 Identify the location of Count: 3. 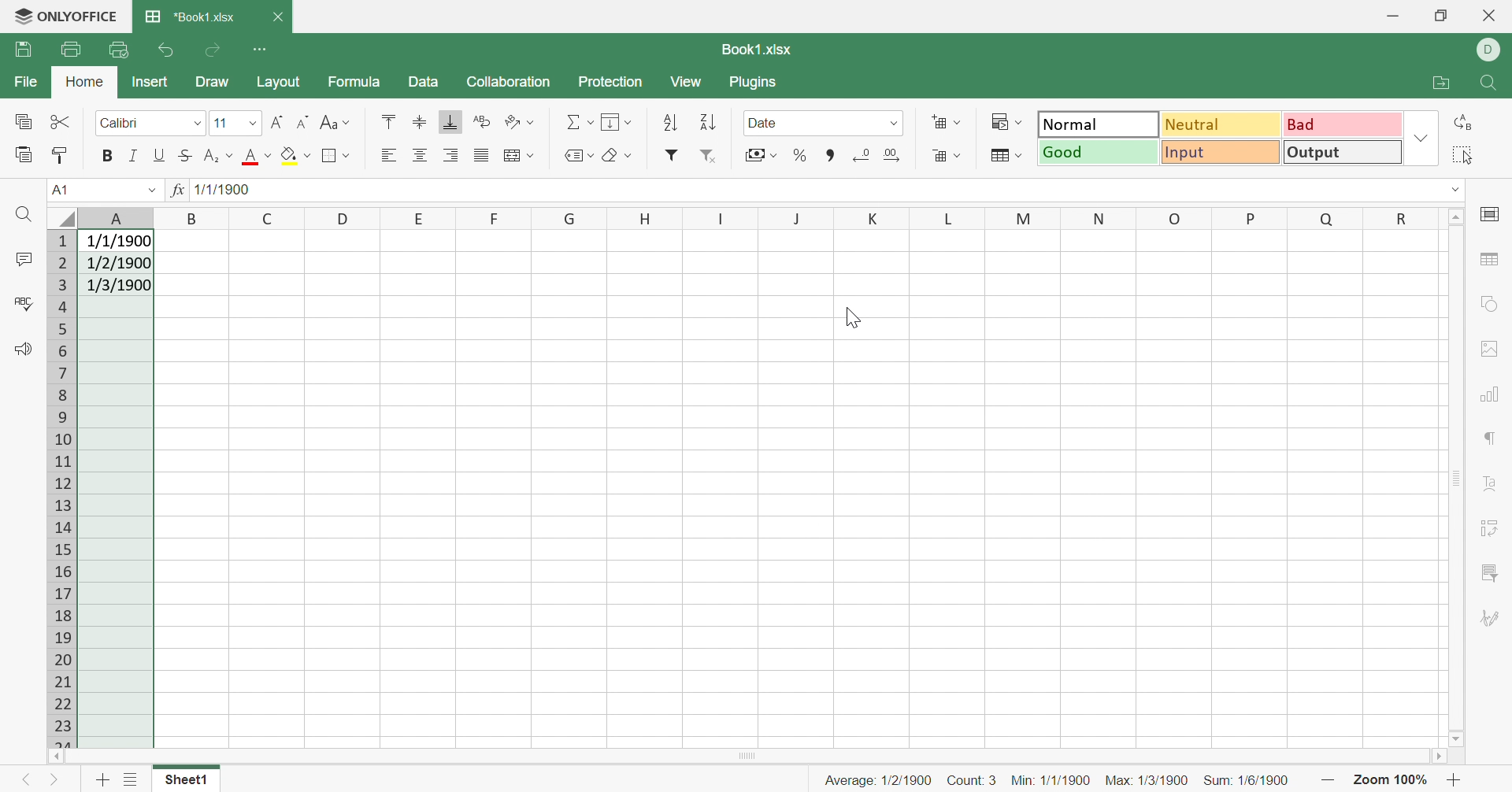
(973, 781).